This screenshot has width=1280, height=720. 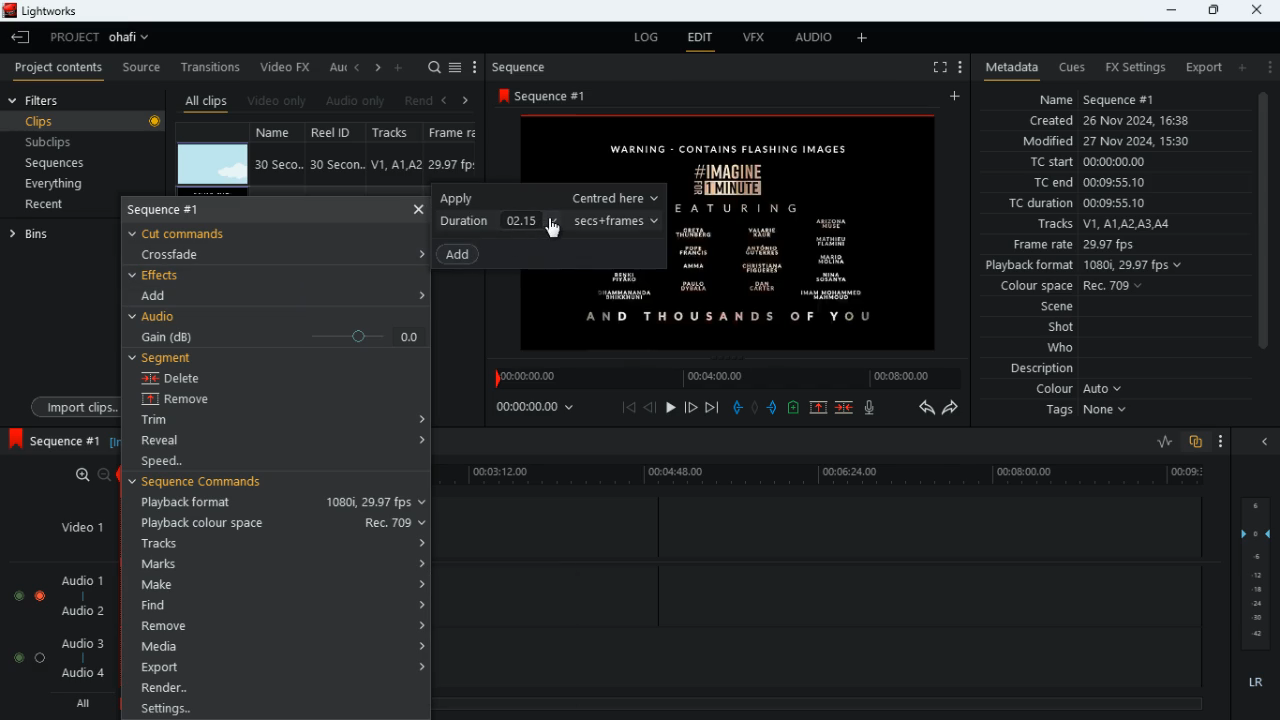 I want to click on audio 1, so click(x=78, y=581).